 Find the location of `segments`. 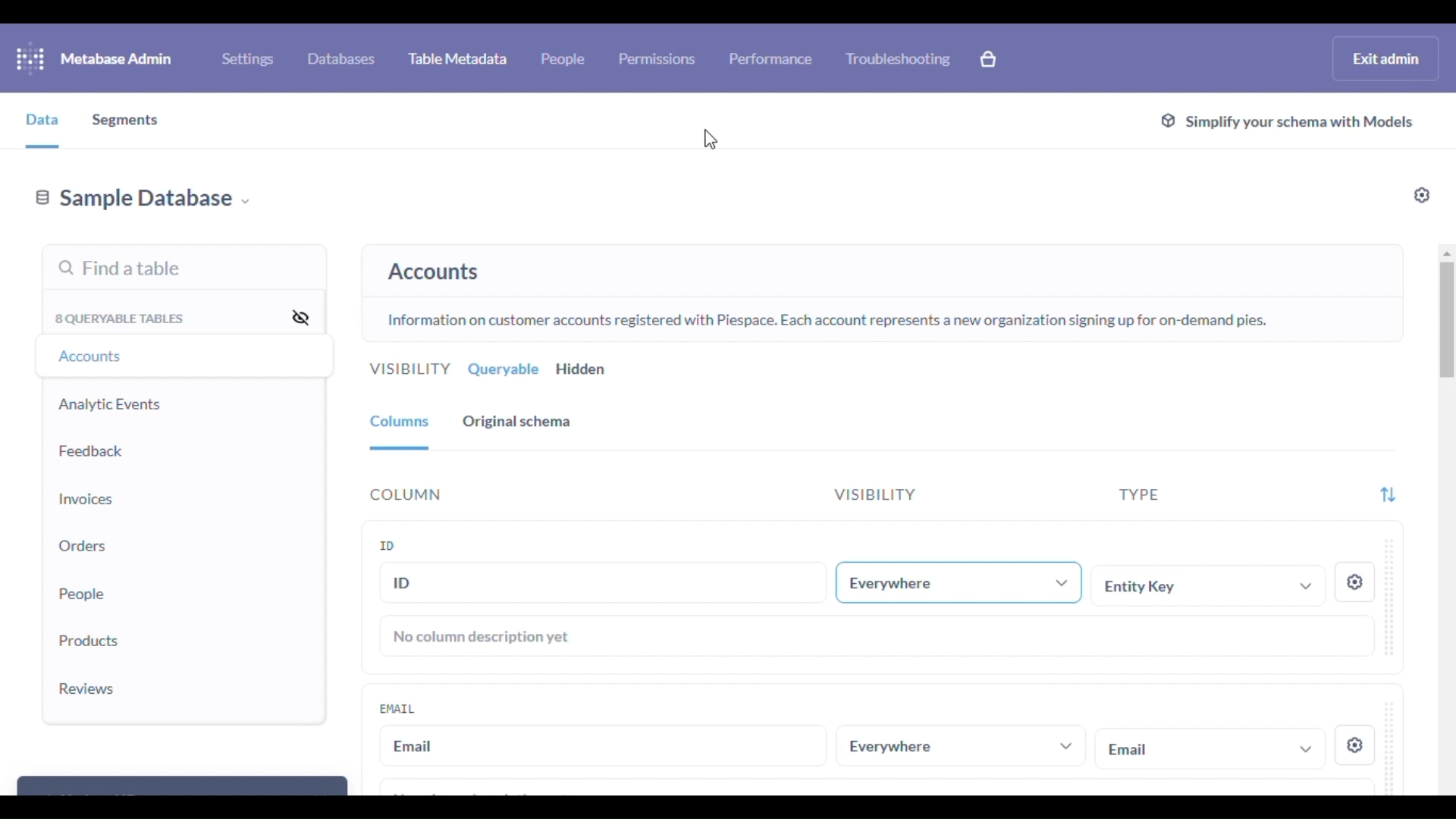

segments is located at coordinates (127, 122).